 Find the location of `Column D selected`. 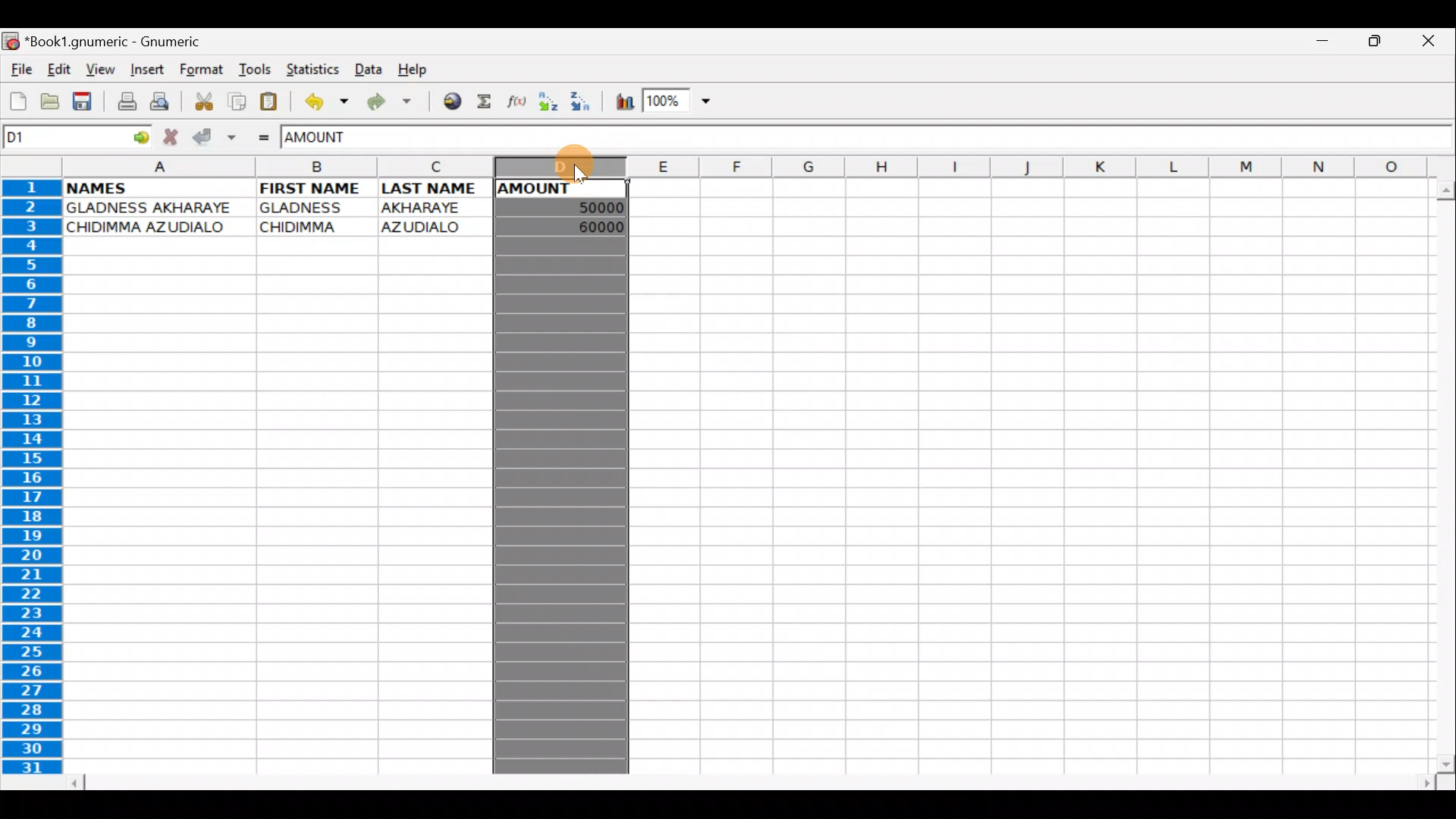

Column D selected is located at coordinates (559, 500).